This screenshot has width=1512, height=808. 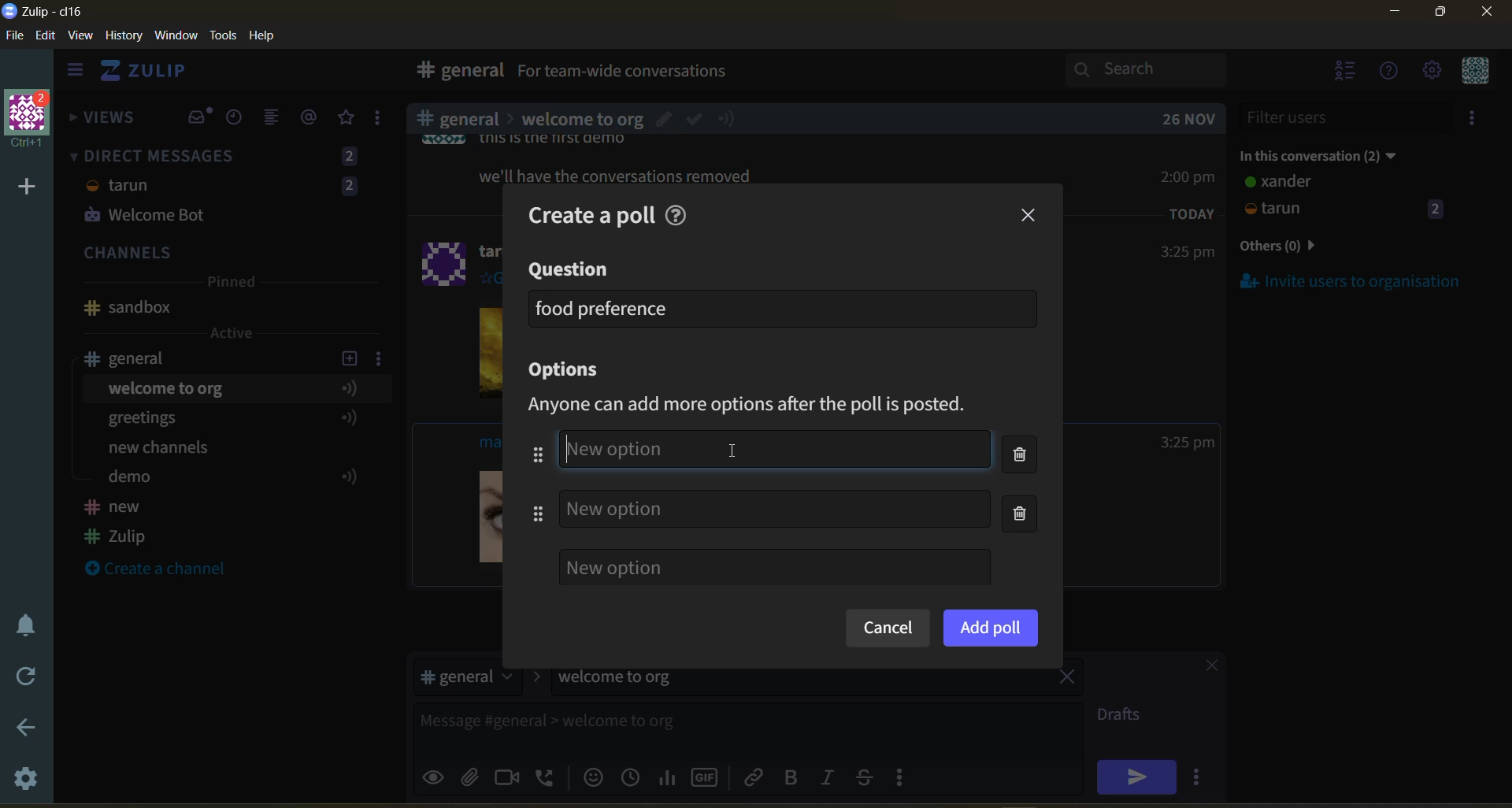 I want to click on favorites, so click(x=347, y=118).